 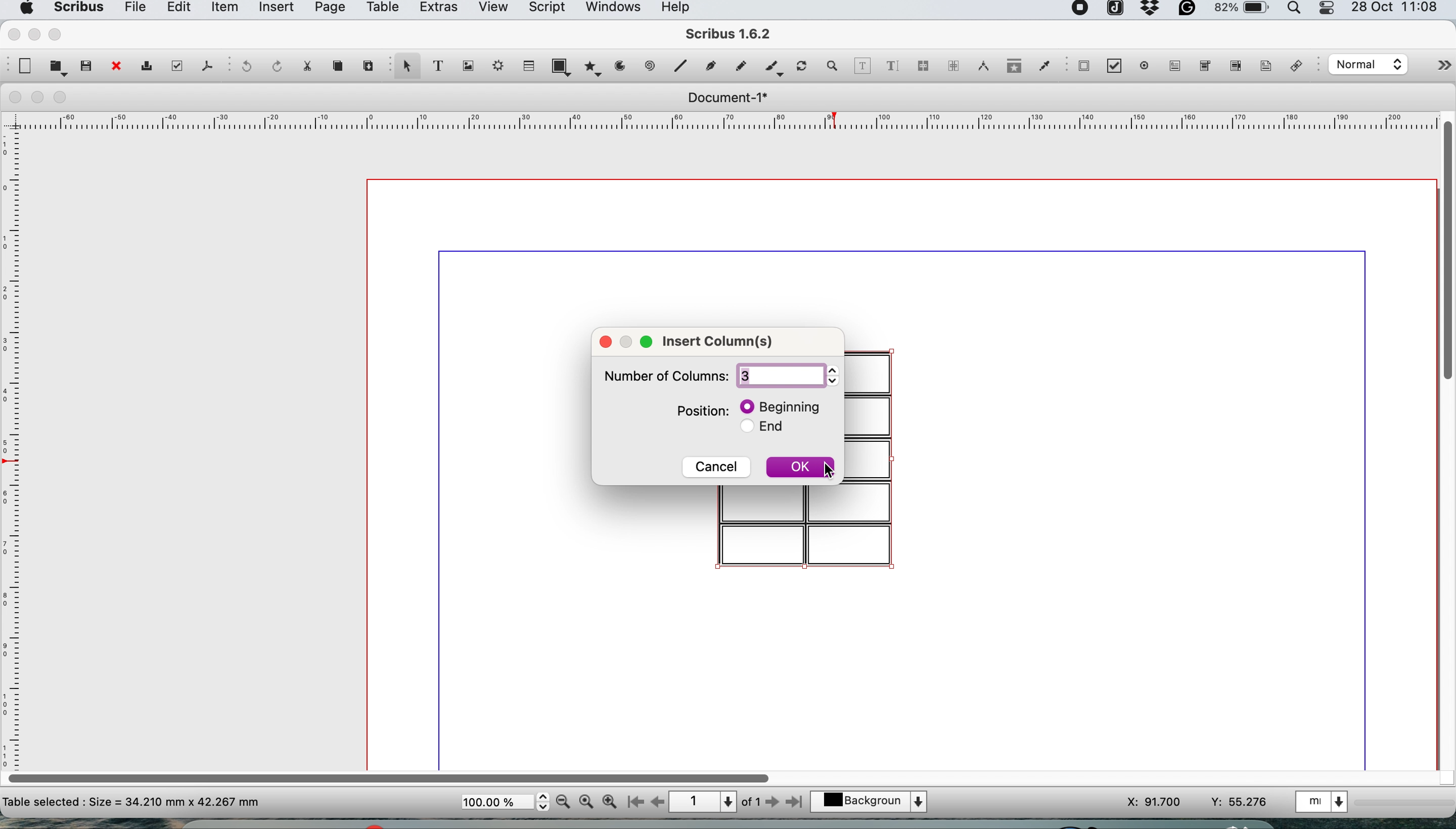 I want to click on zoom out, so click(x=565, y=802).